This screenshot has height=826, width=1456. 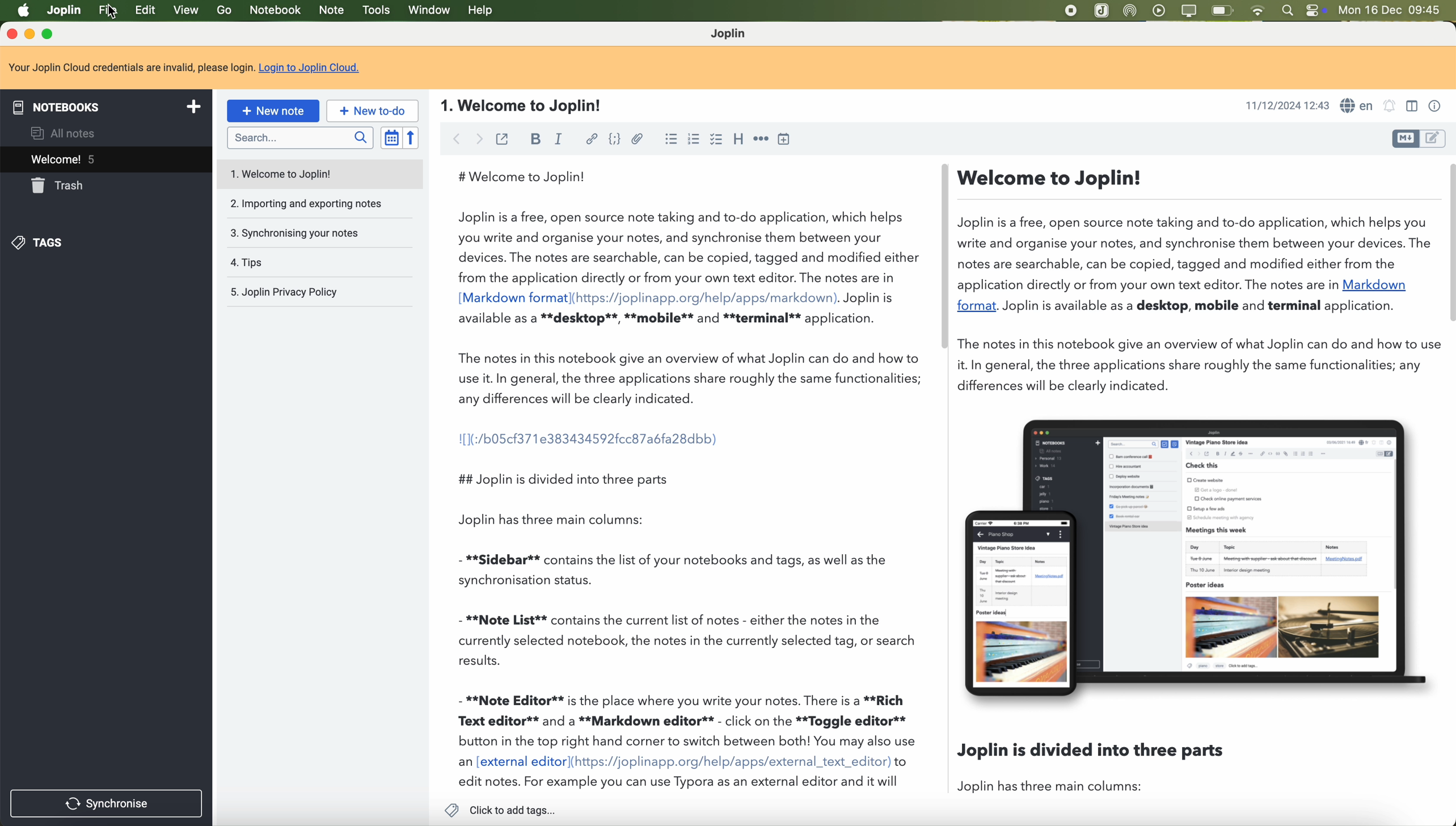 What do you see at coordinates (306, 204) in the screenshot?
I see `2. Importing and exporting notes` at bounding box center [306, 204].